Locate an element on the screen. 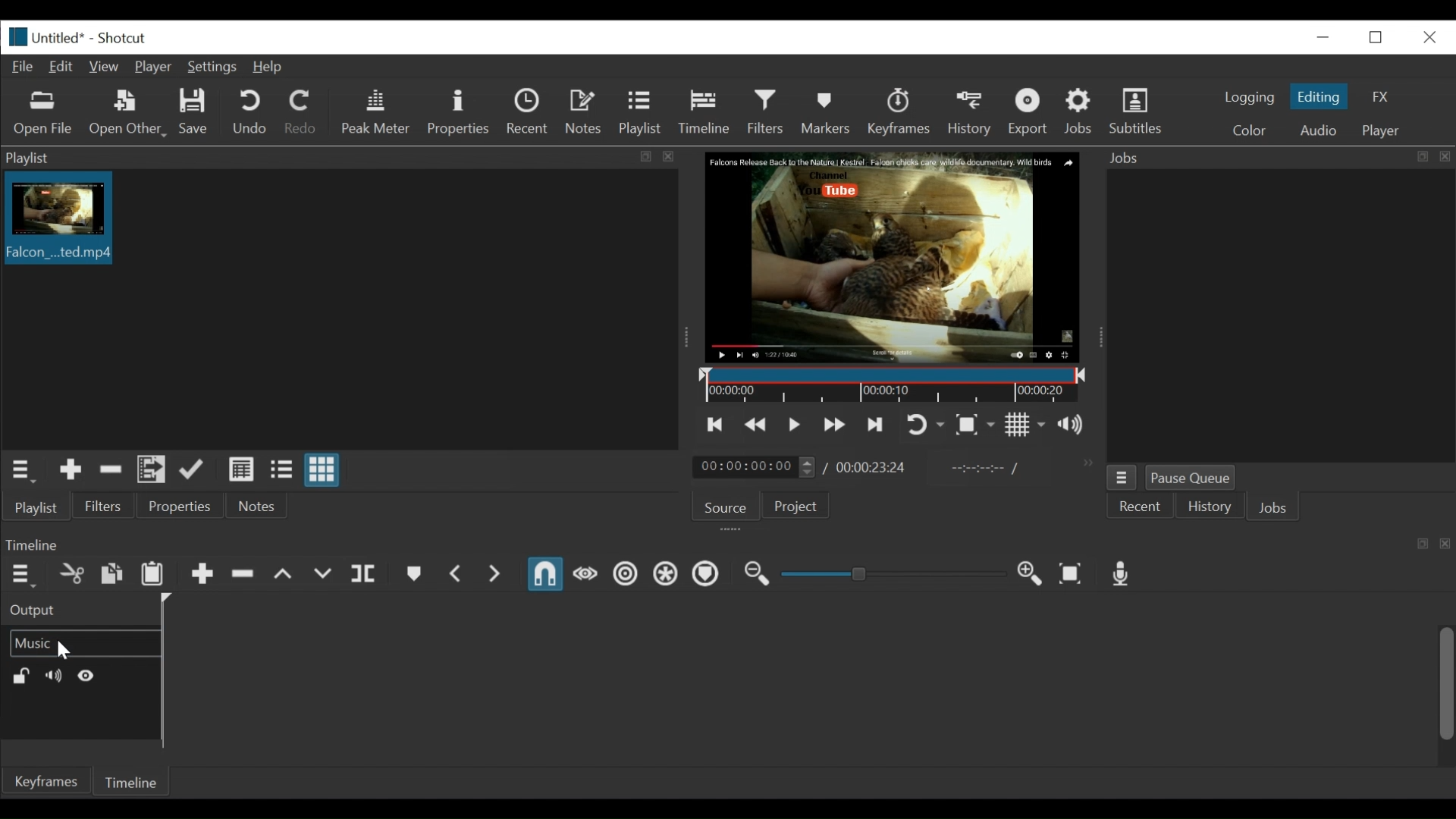 Image resolution: width=1456 pixels, height=819 pixels. Skip to the next point is located at coordinates (836, 424).